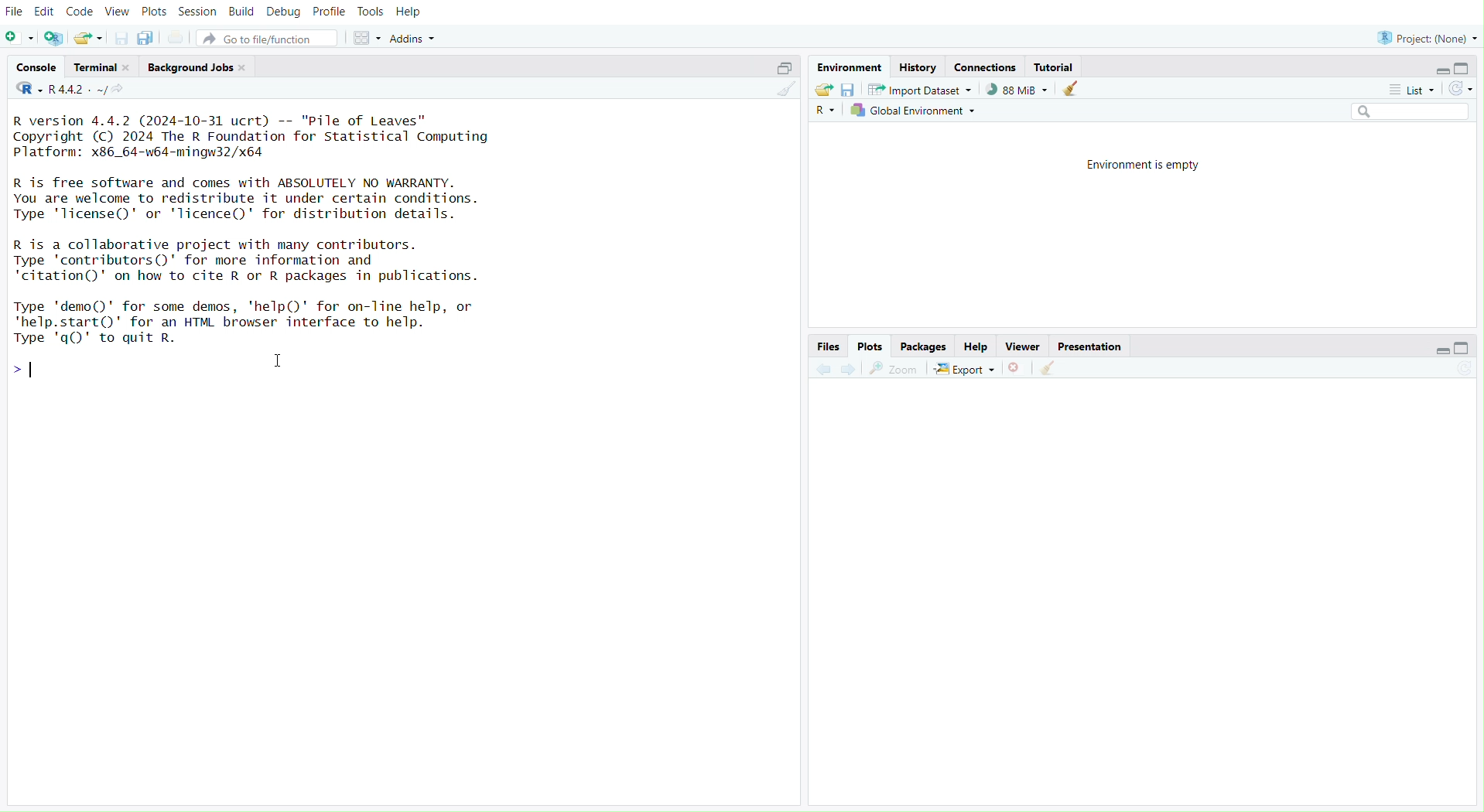  I want to click on Create a project, so click(55, 35).